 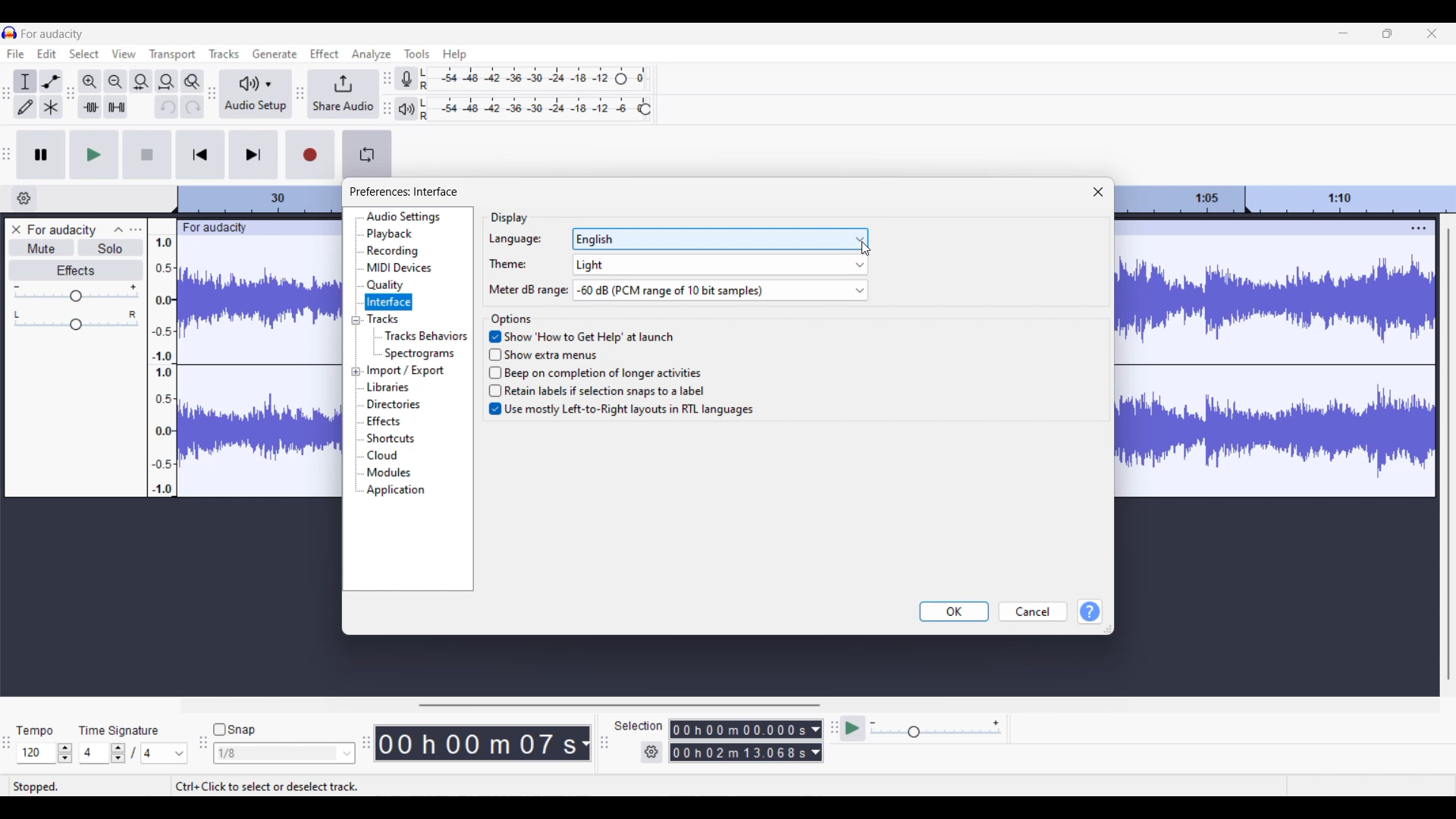 I want to click on Share audio, so click(x=343, y=95).